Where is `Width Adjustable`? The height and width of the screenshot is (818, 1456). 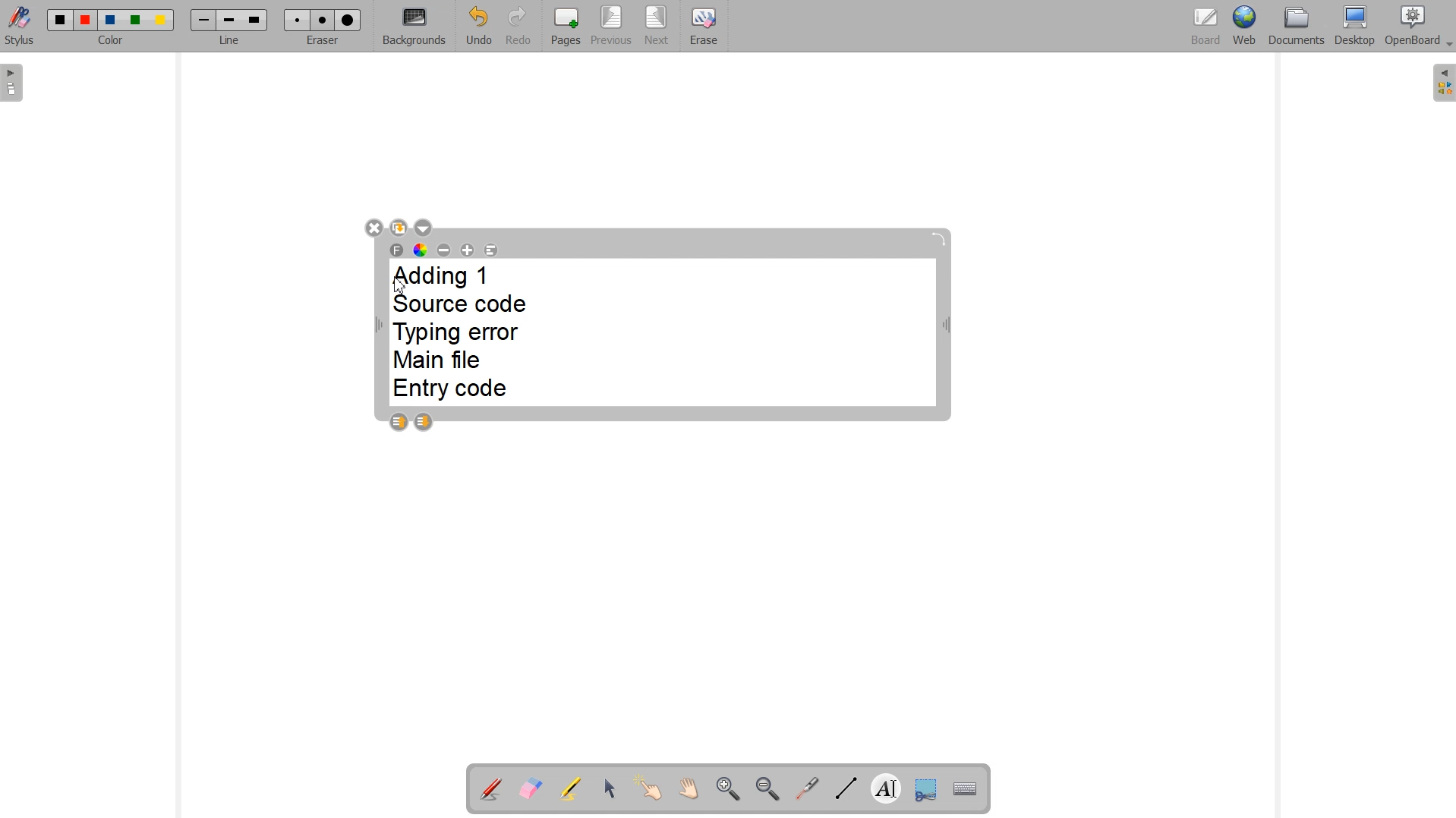
Width Adjustable is located at coordinates (381, 326).